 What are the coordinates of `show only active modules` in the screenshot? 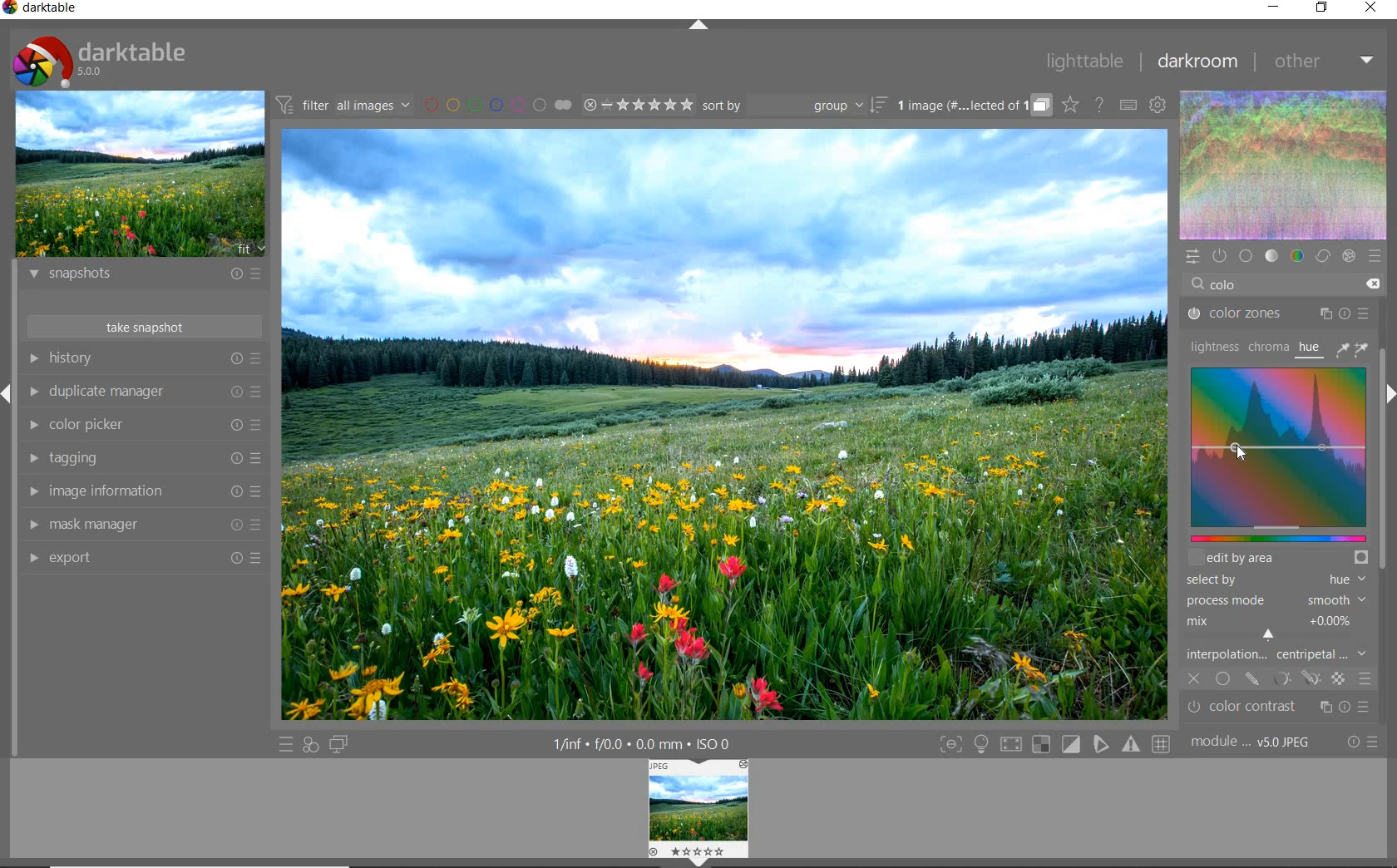 It's located at (1218, 254).